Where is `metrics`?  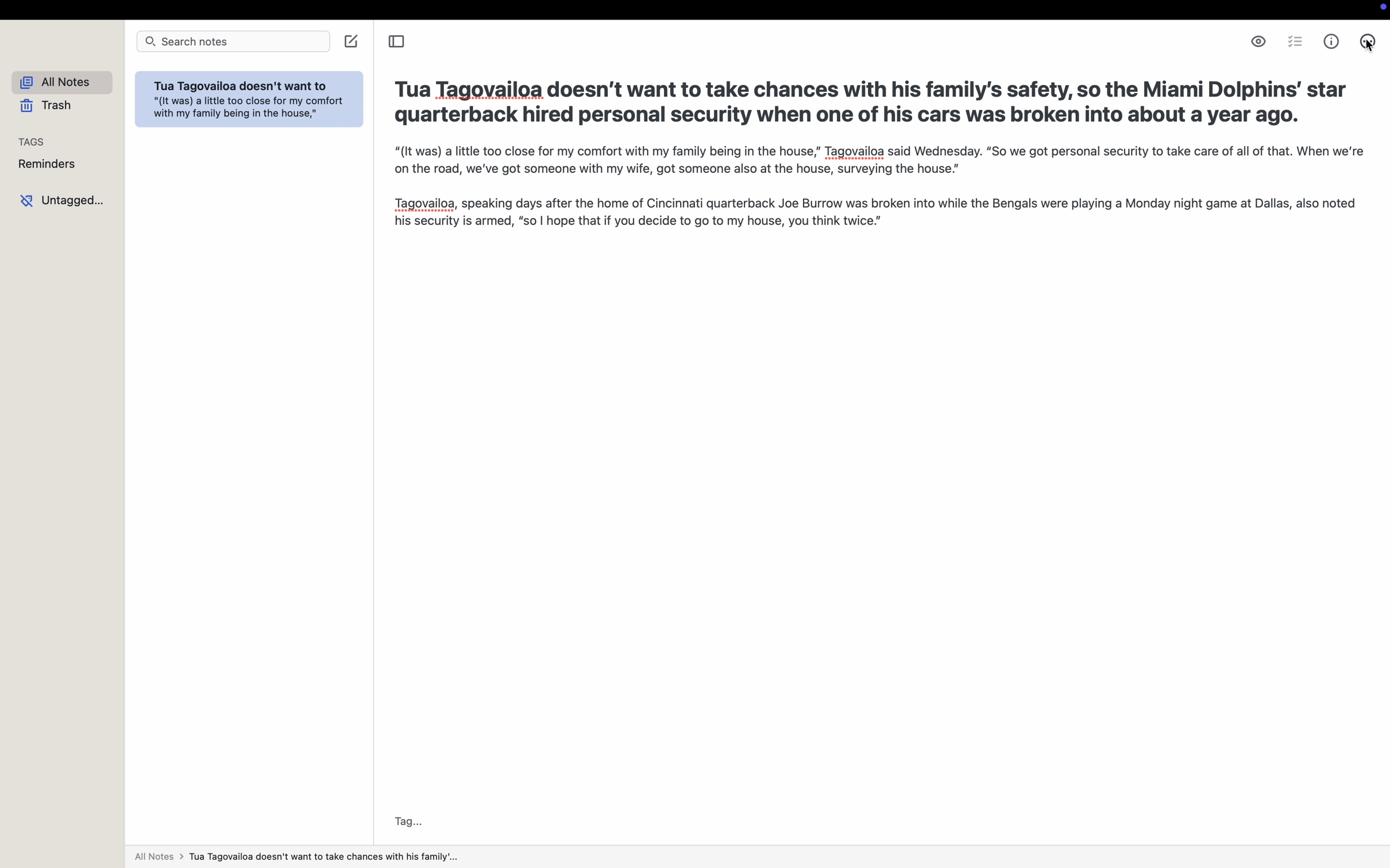
metrics is located at coordinates (1333, 42).